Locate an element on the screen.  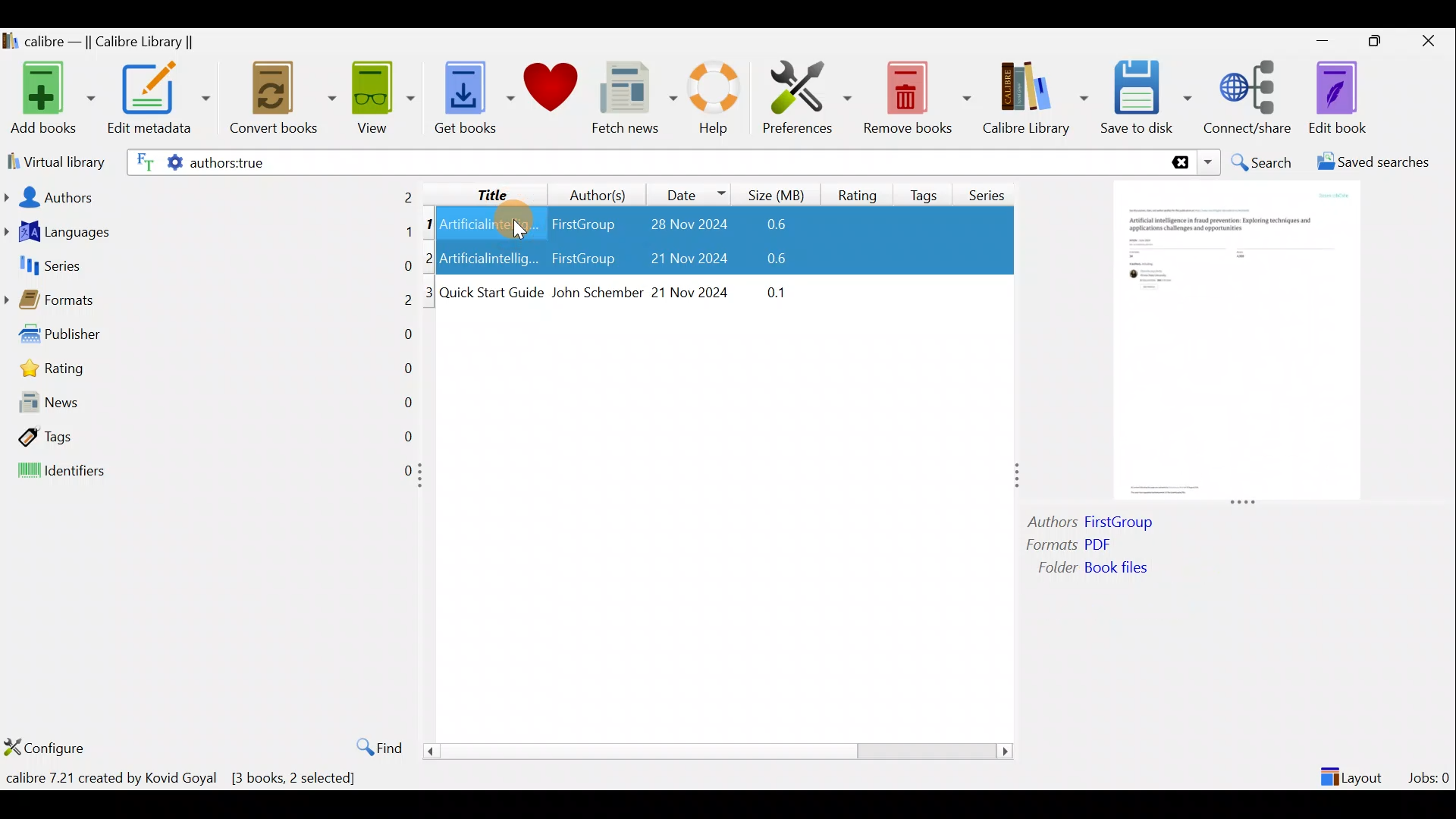
Series is located at coordinates (992, 190).